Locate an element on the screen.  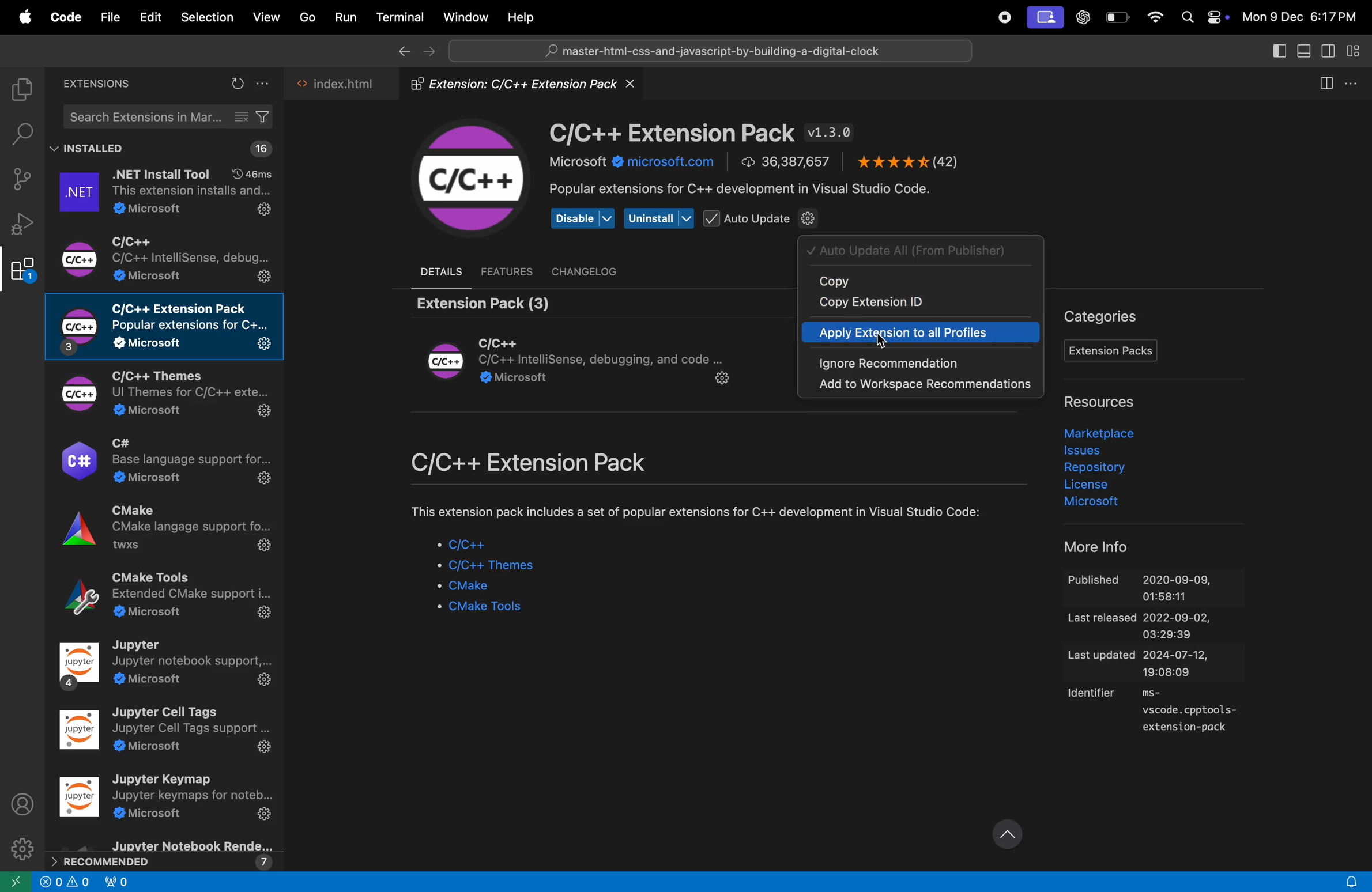
toggle secondary side bar is located at coordinates (1328, 51).